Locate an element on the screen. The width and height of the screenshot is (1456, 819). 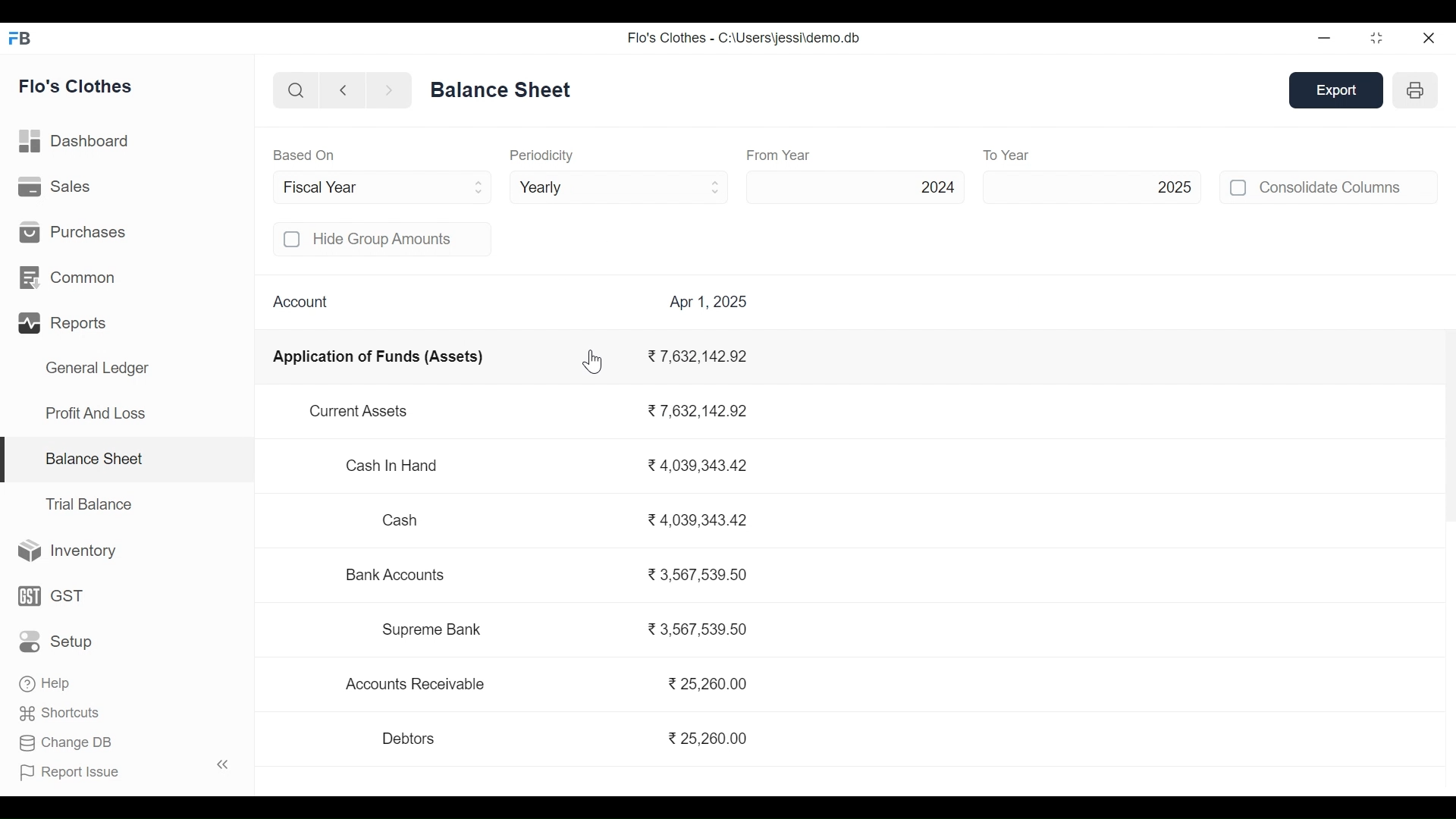
Hide Group Amounts is located at coordinates (400, 239).